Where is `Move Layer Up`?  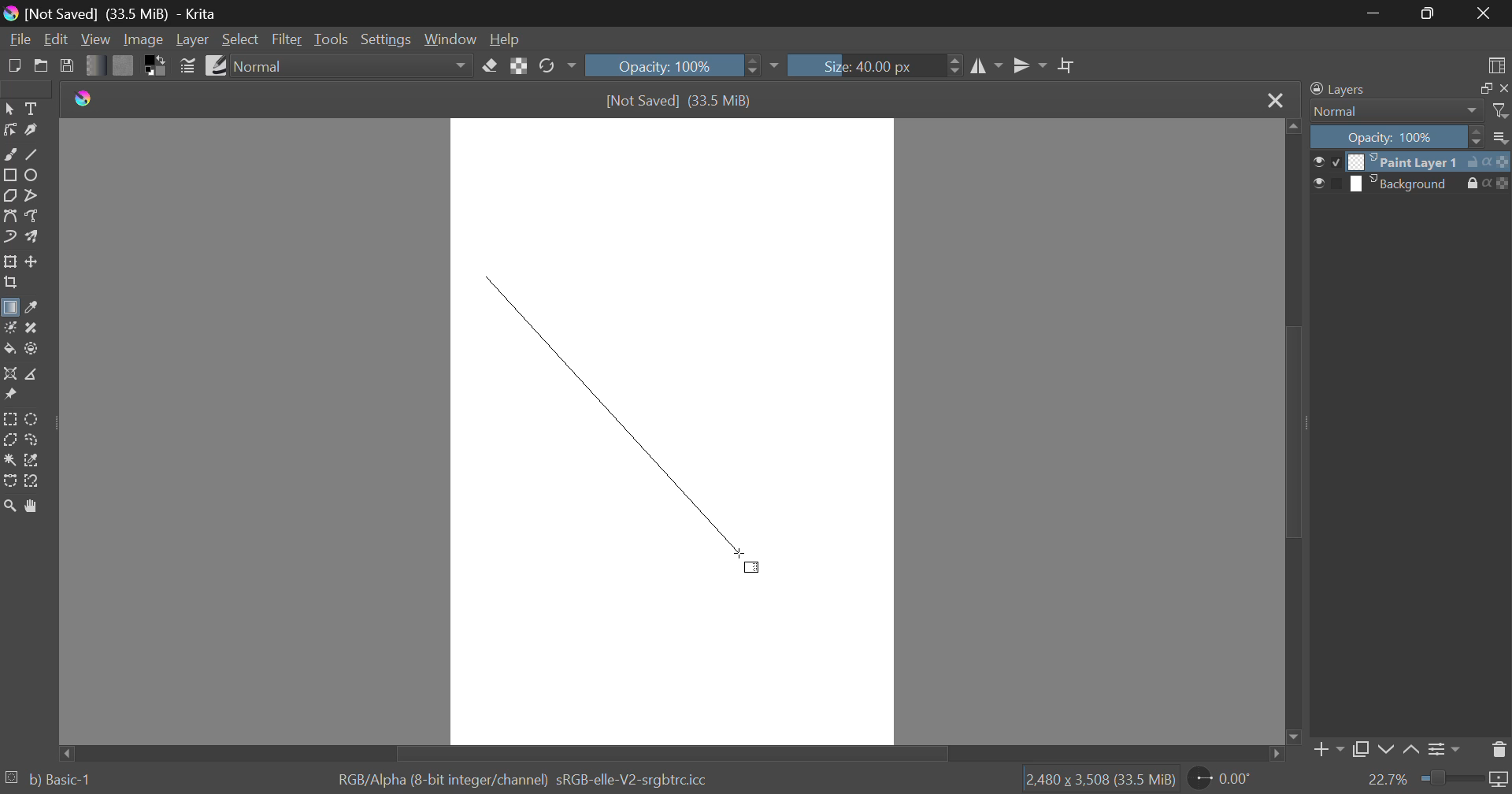 Move Layer Up is located at coordinates (1412, 751).